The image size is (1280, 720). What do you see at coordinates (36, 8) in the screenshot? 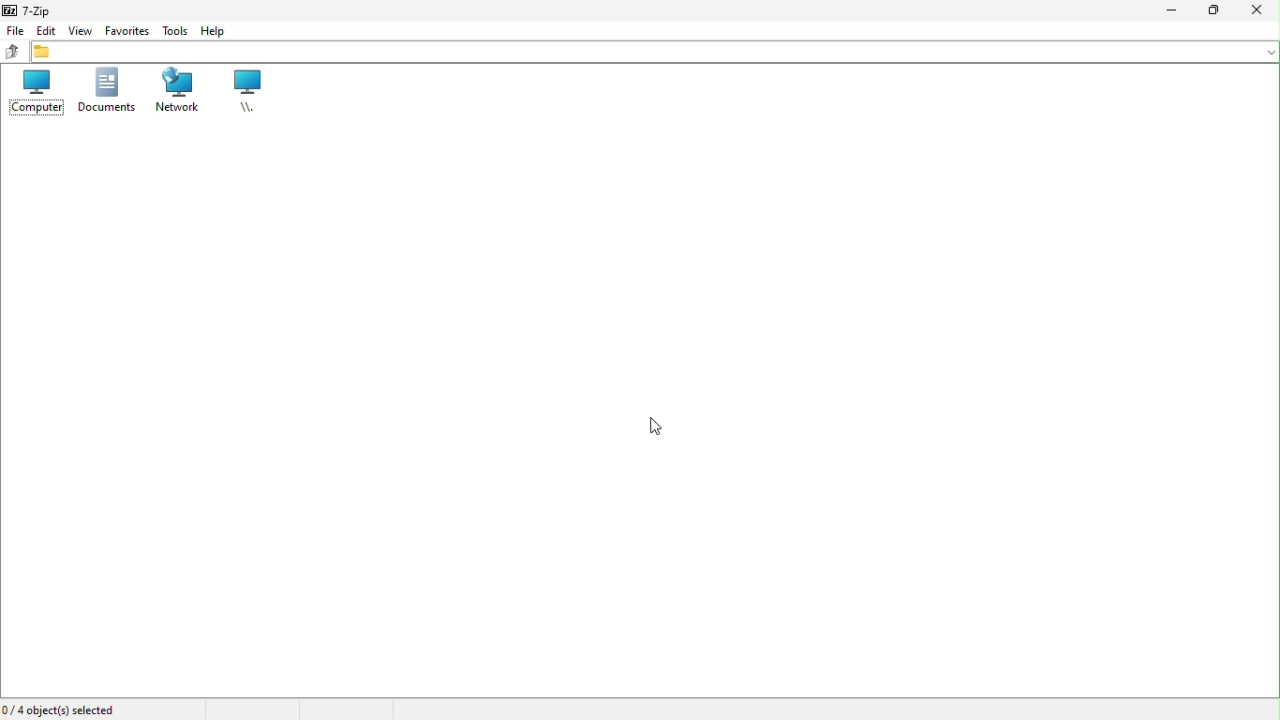
I see `7 zip` at bounding box center [36, 8].